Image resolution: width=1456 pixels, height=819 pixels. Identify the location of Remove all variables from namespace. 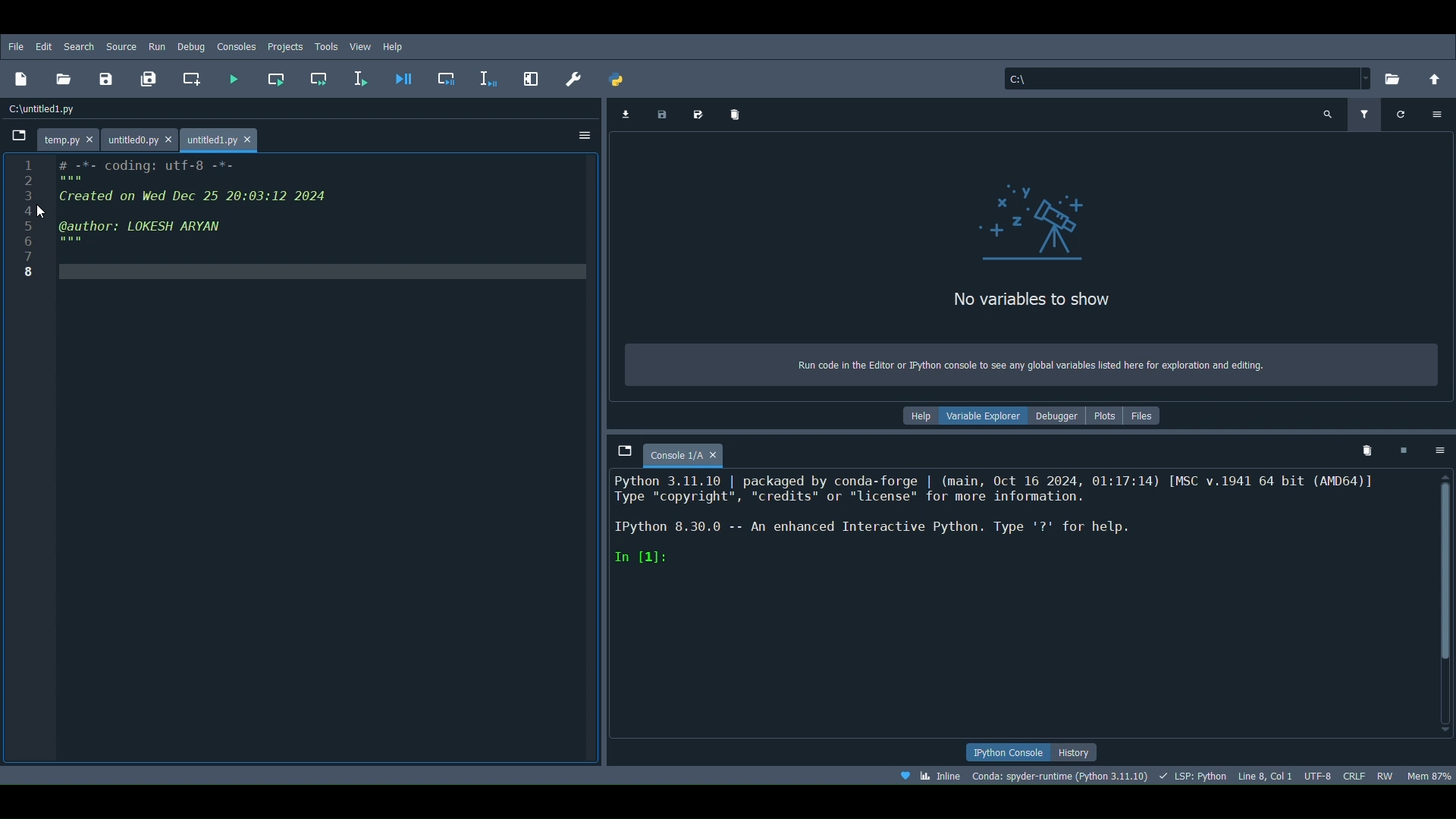
(1368, 450).